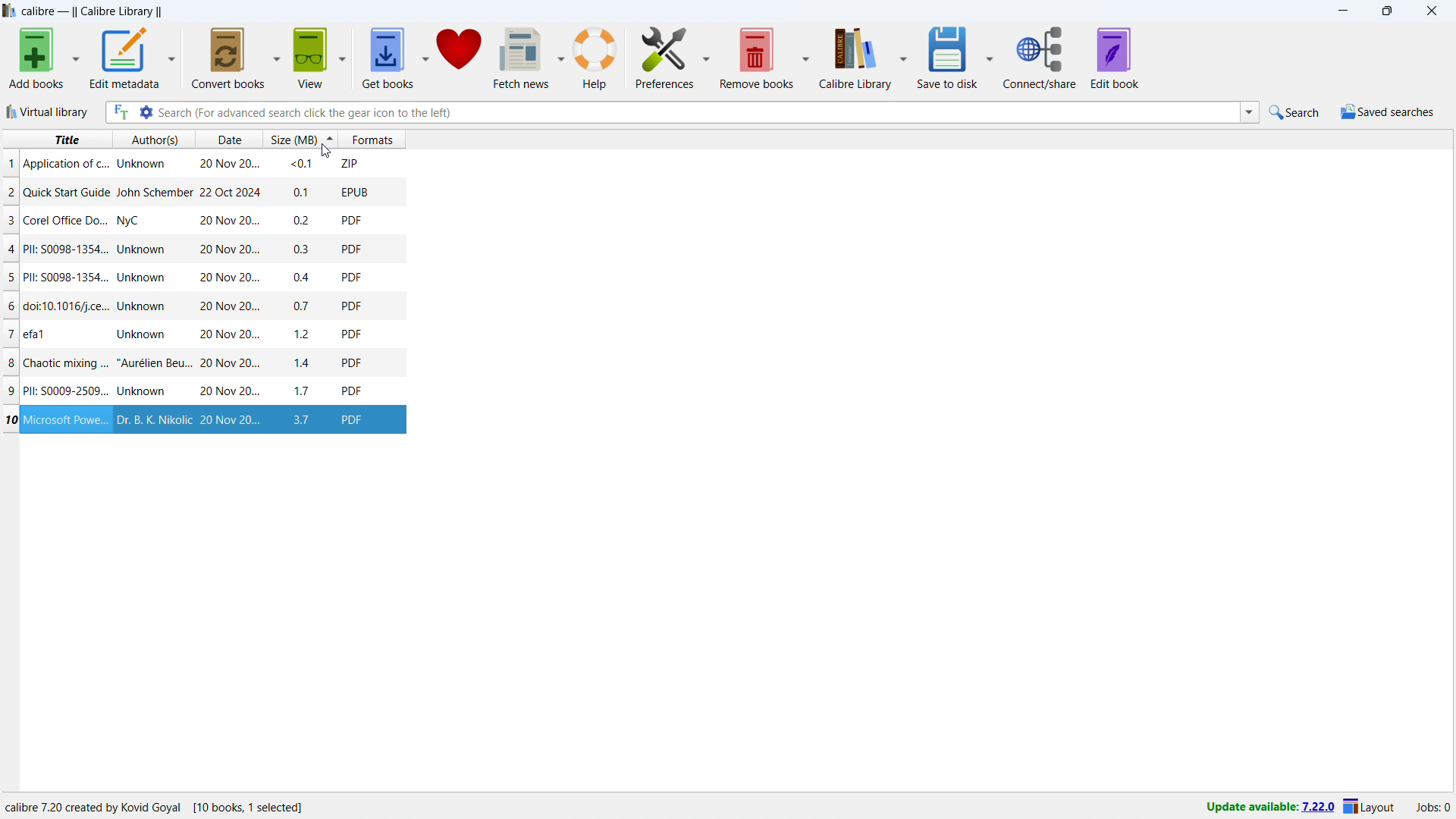  Describe the element at coordinates (230, 308) in the screenshot. I see `date` at that location.